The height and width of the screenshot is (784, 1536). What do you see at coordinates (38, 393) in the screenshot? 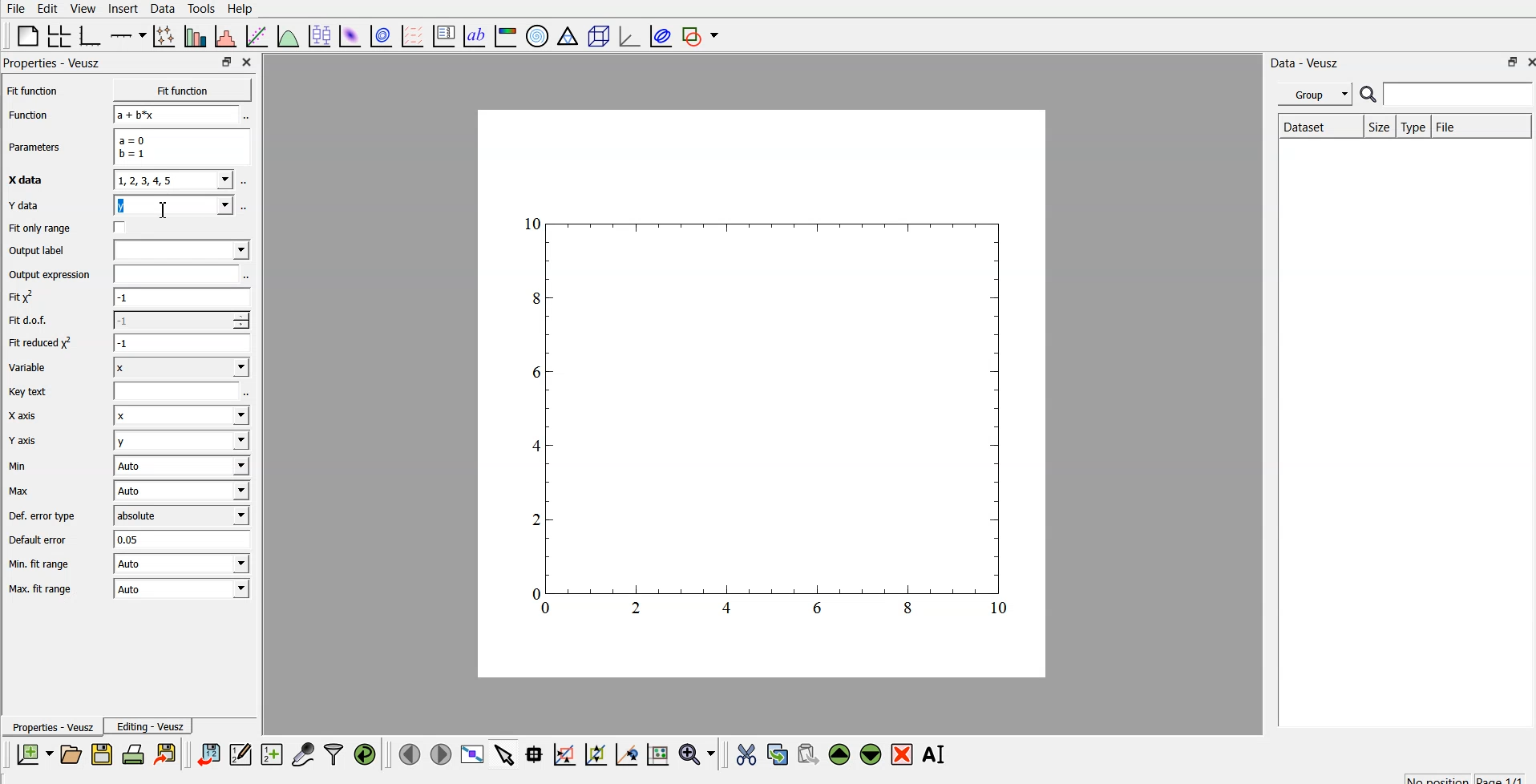
I see `Key text` at bounding box center [38, 393].